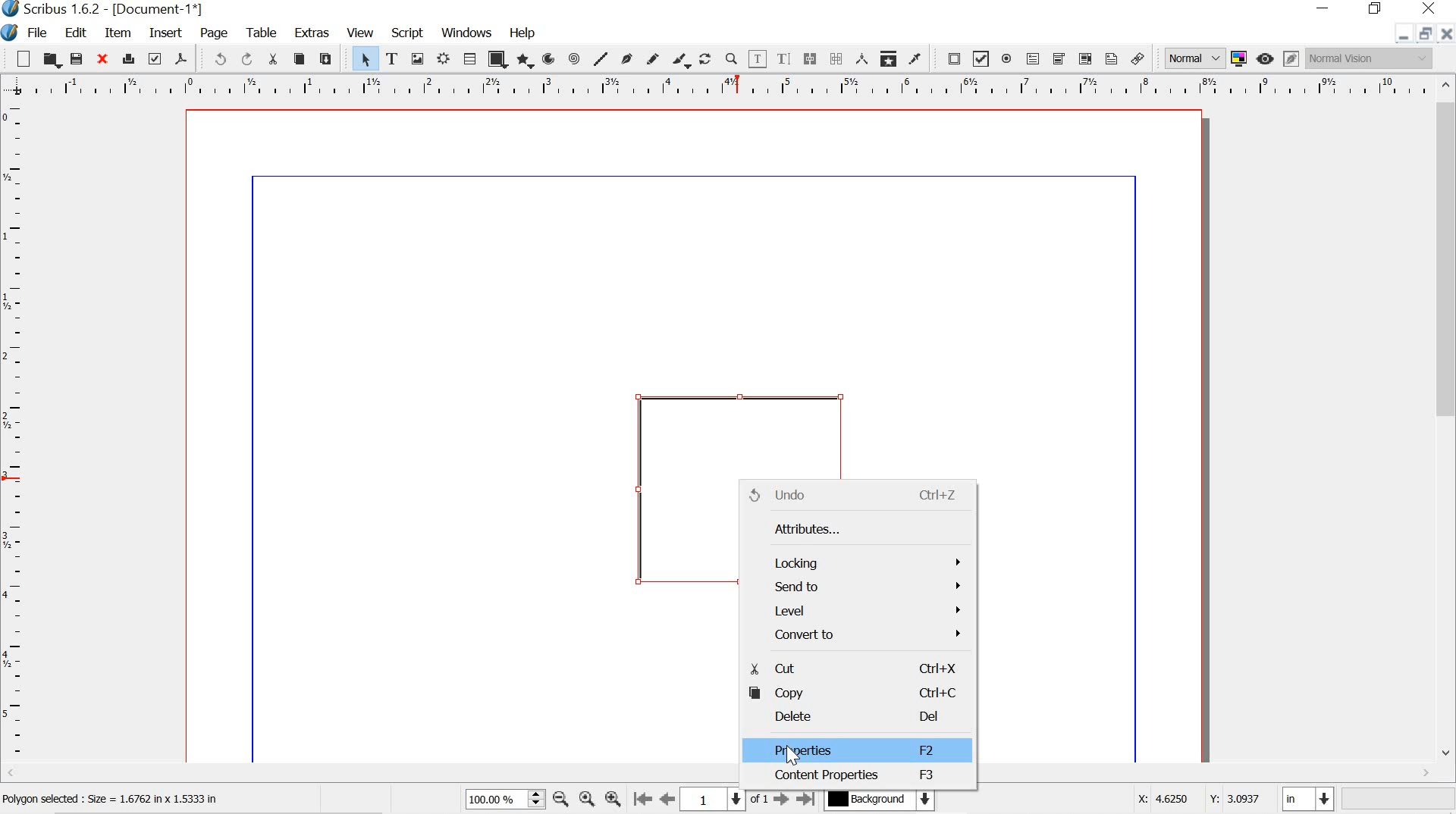  Describe the element at coordinates (858, 612) in the screenshot. I see `Level` at that location.